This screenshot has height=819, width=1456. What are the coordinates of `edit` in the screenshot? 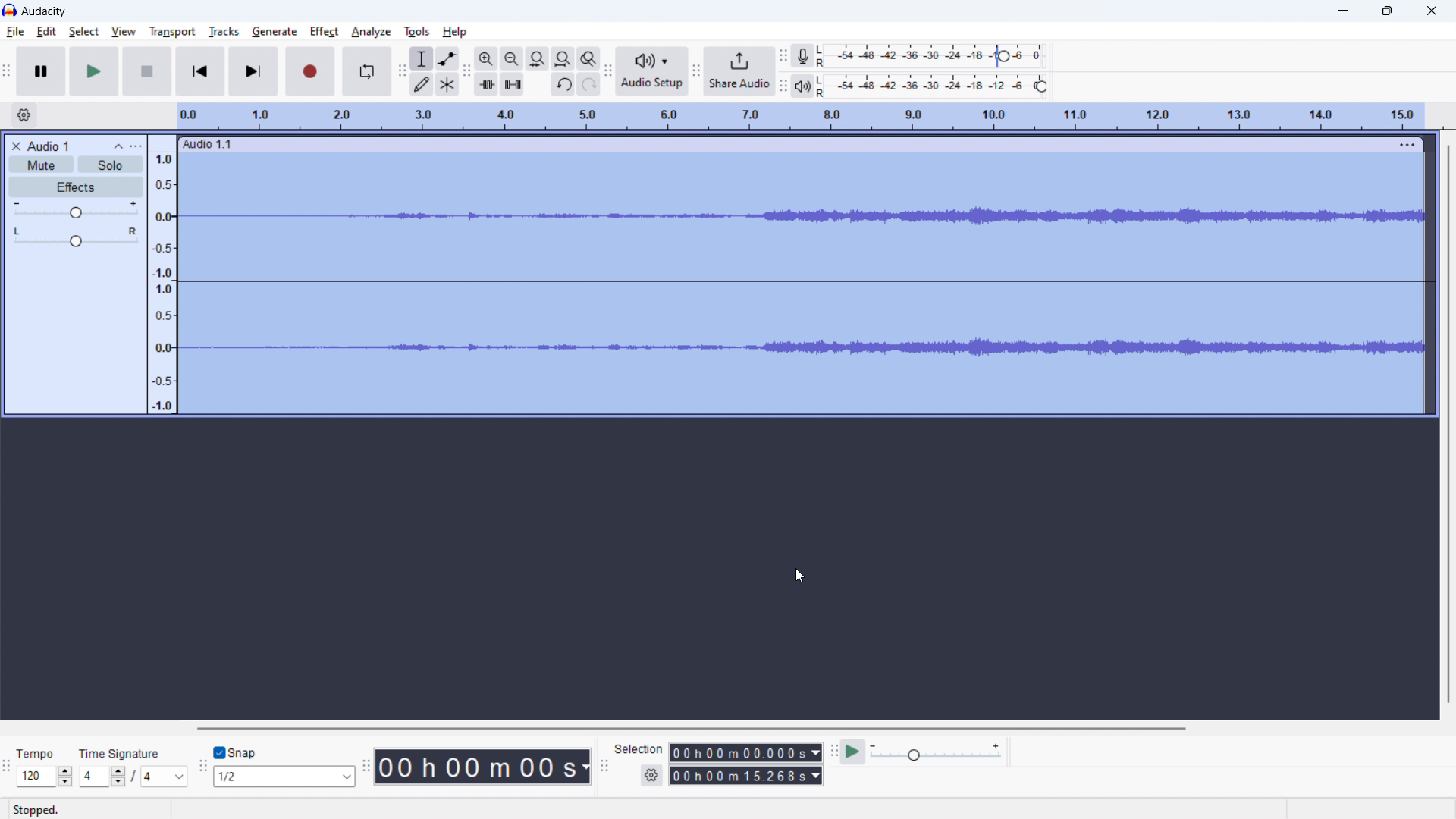 It's located at (47, 32).